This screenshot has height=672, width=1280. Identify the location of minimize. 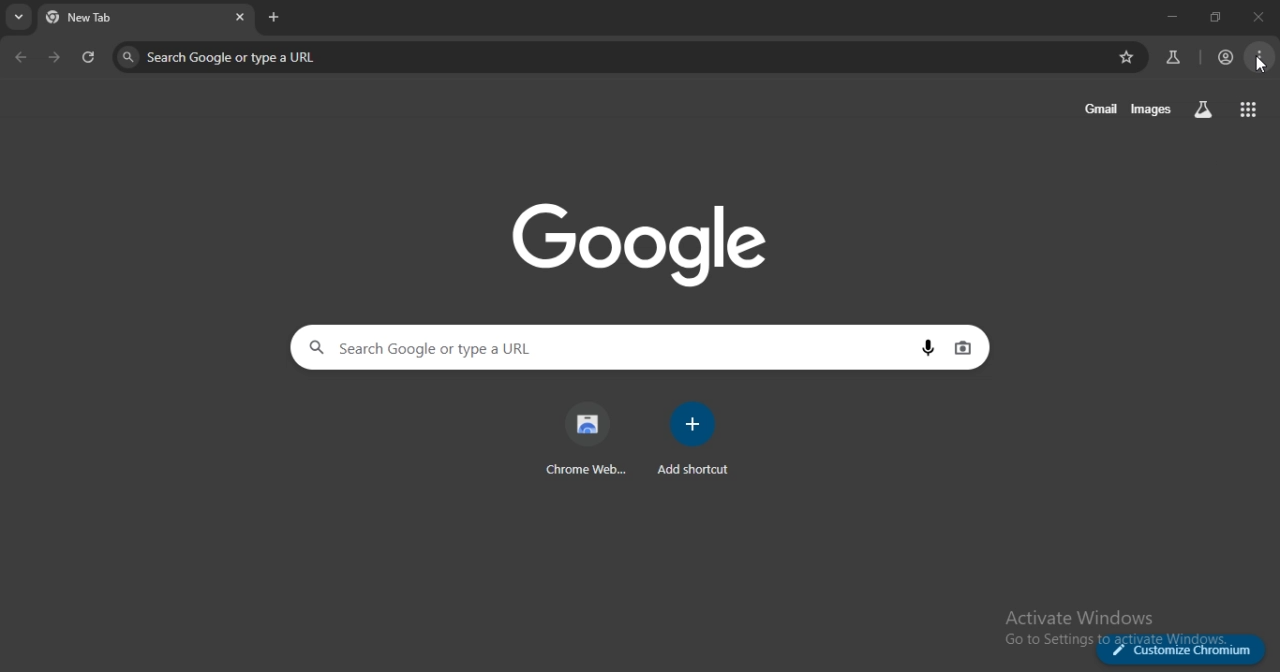
(1170, 15).